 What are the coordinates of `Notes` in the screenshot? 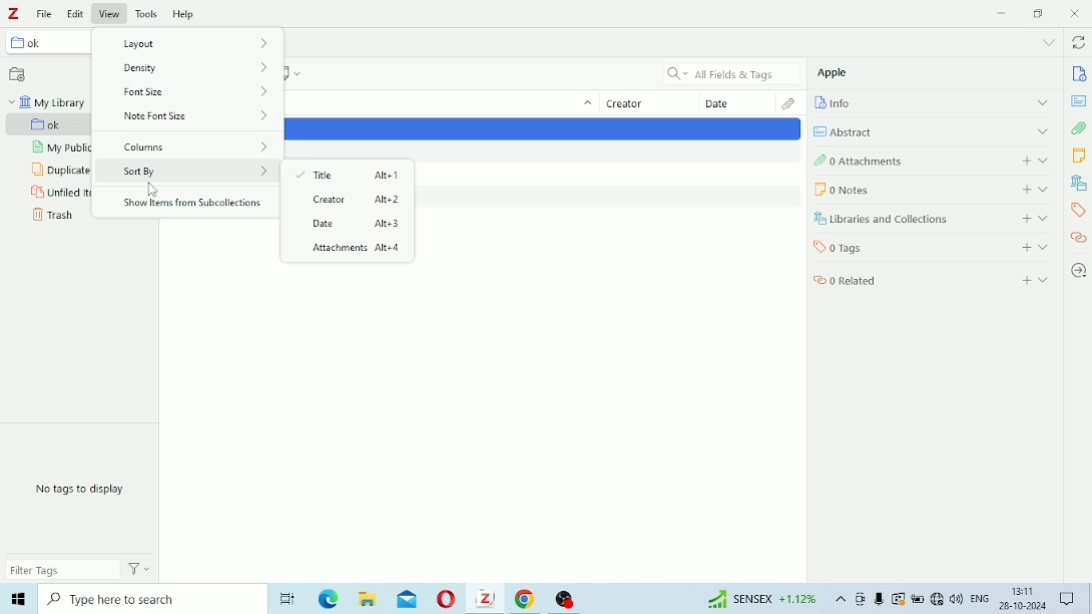 It's located at (893, 188).